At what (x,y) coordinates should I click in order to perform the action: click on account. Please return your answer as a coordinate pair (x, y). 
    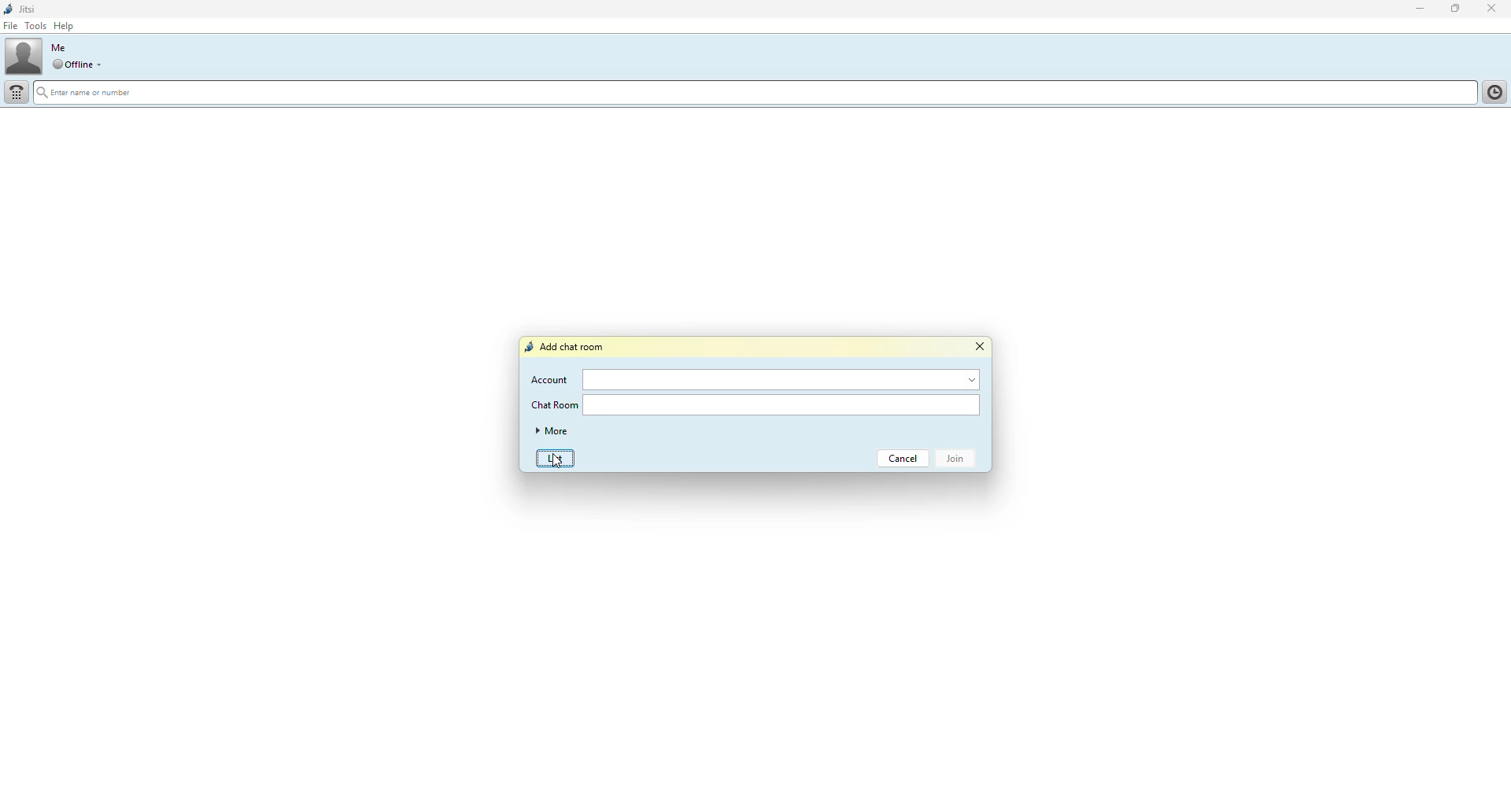
    Looking at the image, I should click on (550, 381).